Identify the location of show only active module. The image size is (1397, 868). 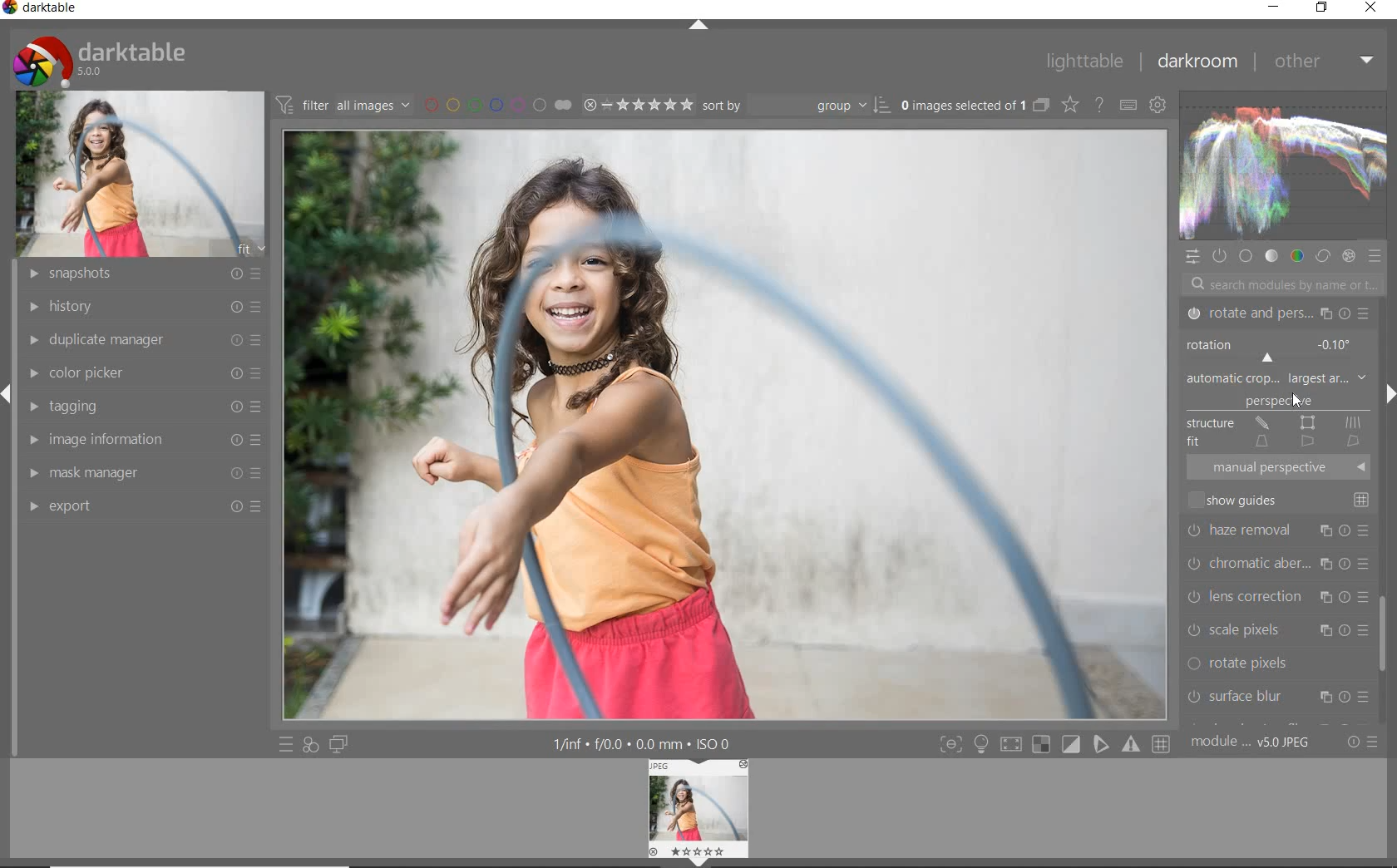
(1218, 254).